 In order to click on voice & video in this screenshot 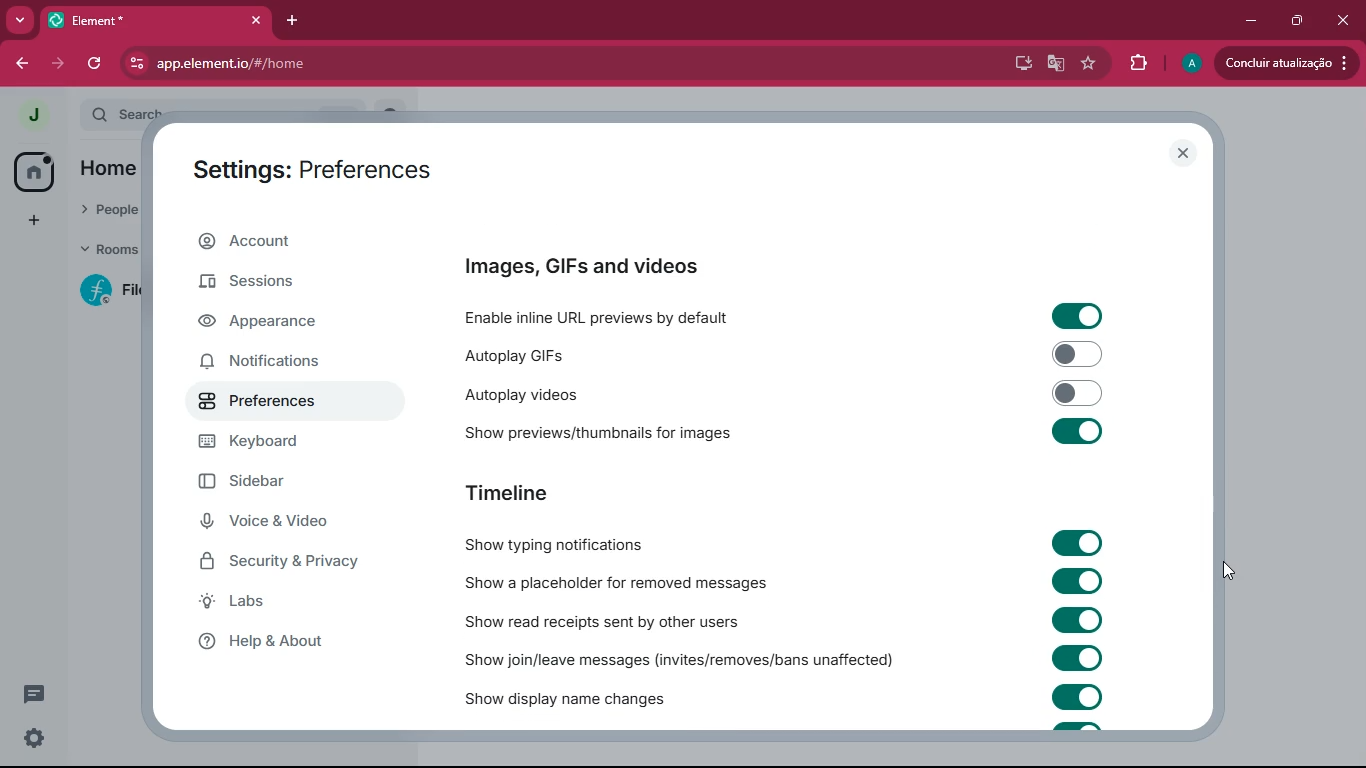, I will do `click(281, 521)`.